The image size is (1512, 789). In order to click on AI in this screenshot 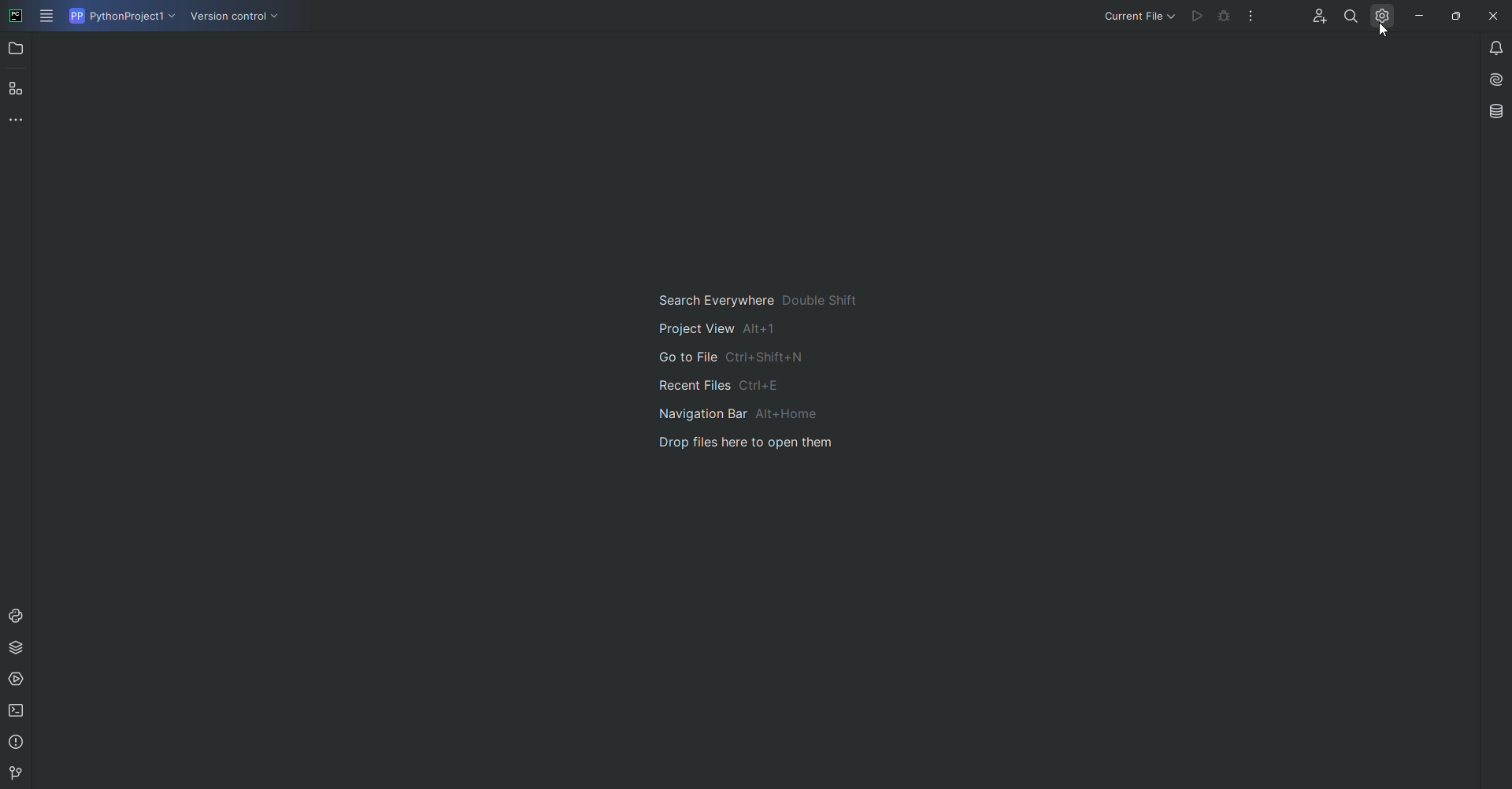, I will do `click(1491, 78)`.